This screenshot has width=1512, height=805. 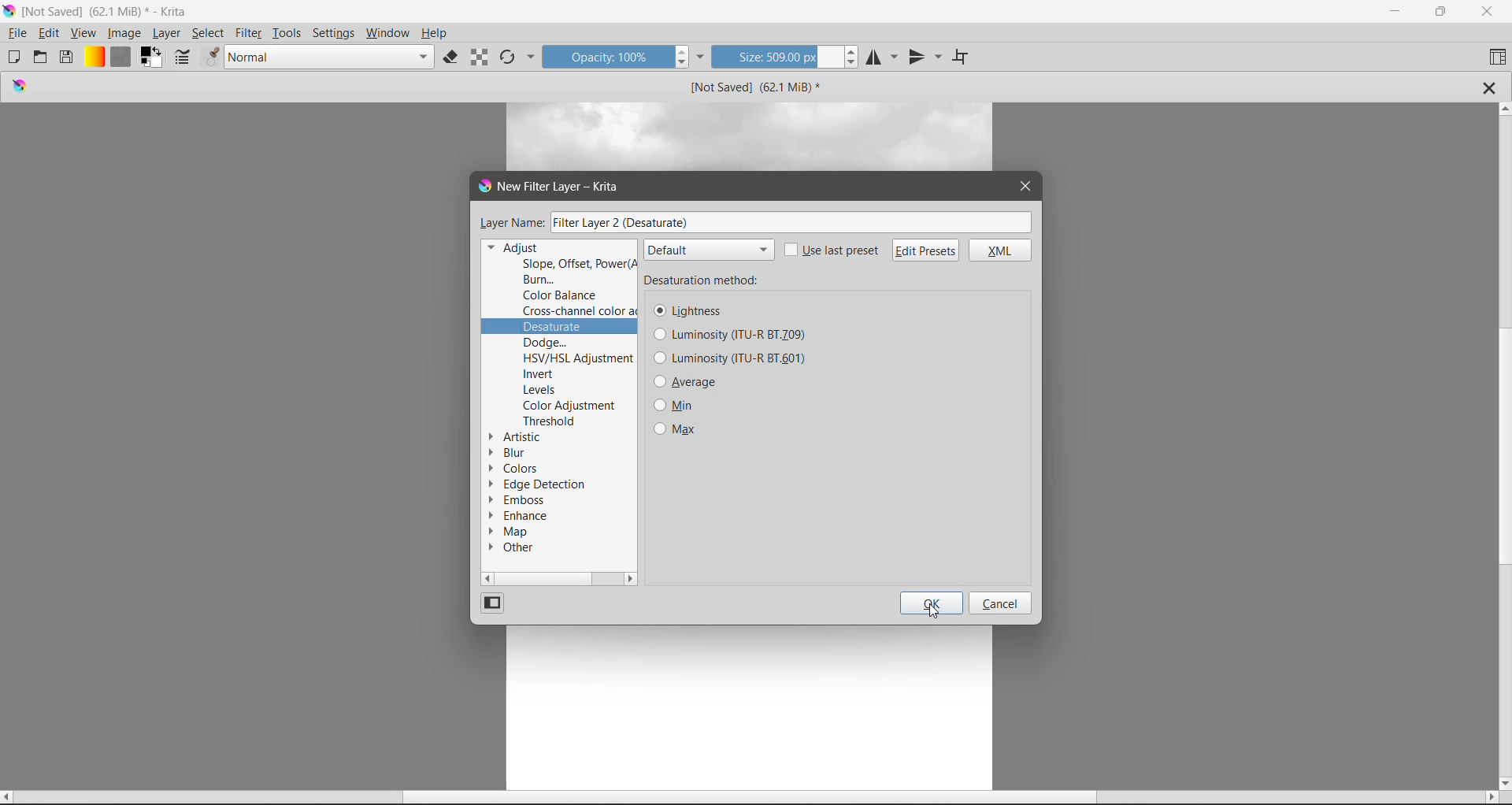 I want to click on Vertical Mirror Tool, so click(x=925, y=57).